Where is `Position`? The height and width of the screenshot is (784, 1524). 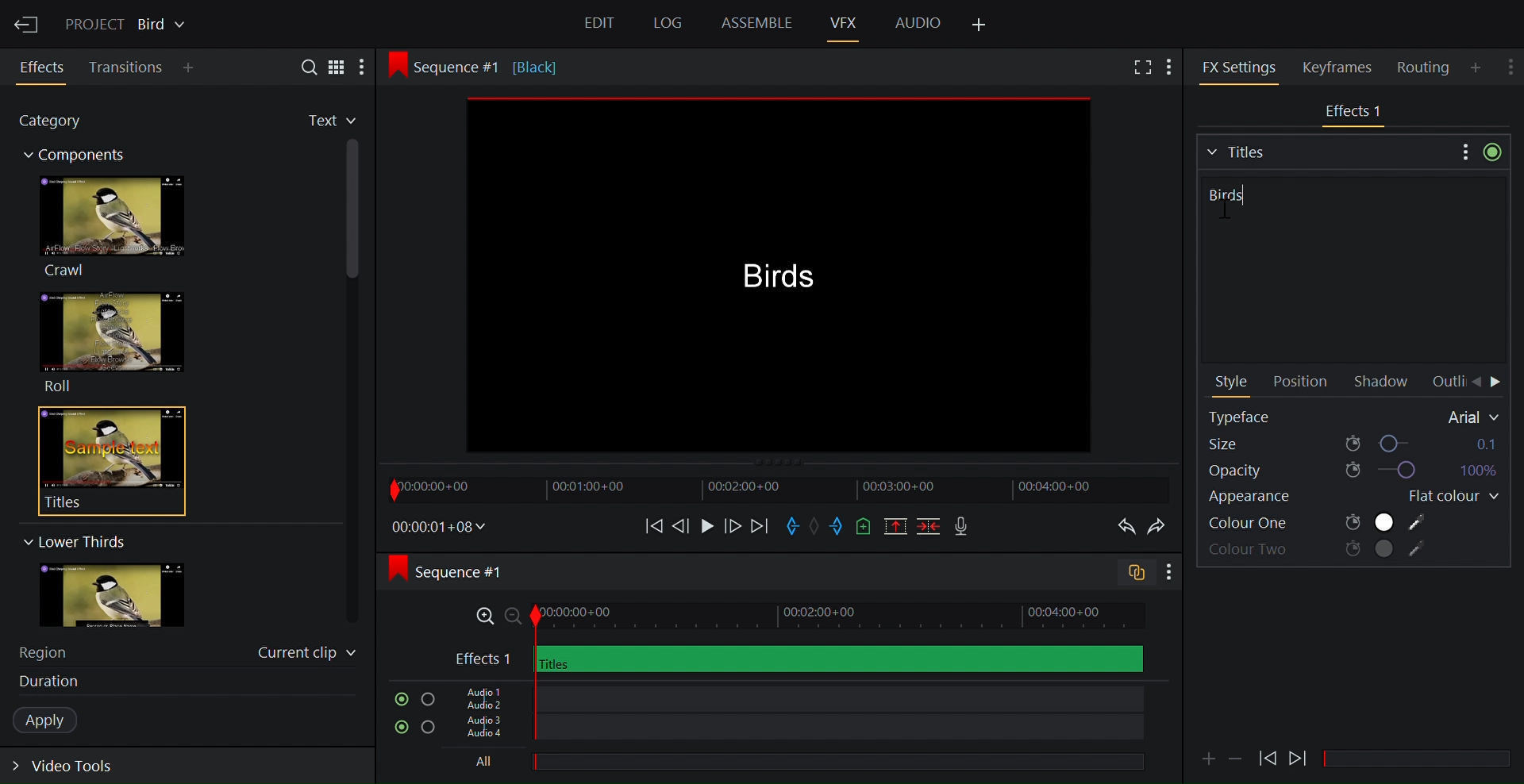
Position is located at coordinates (1299, 382).